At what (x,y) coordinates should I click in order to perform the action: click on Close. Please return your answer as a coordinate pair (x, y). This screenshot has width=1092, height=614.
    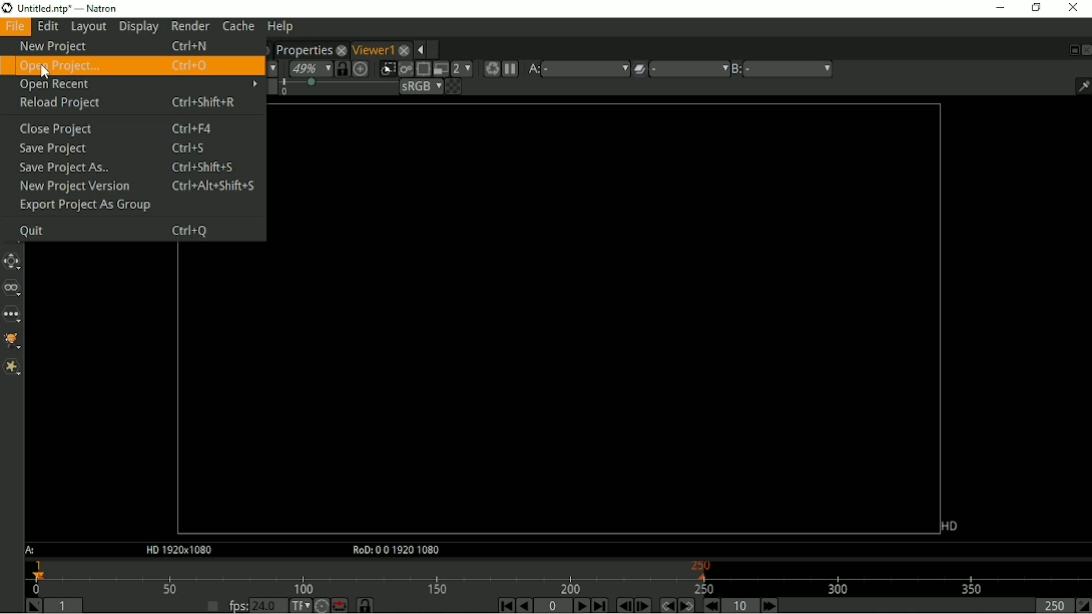
    Looking at the image, I should click on (1072, 8).